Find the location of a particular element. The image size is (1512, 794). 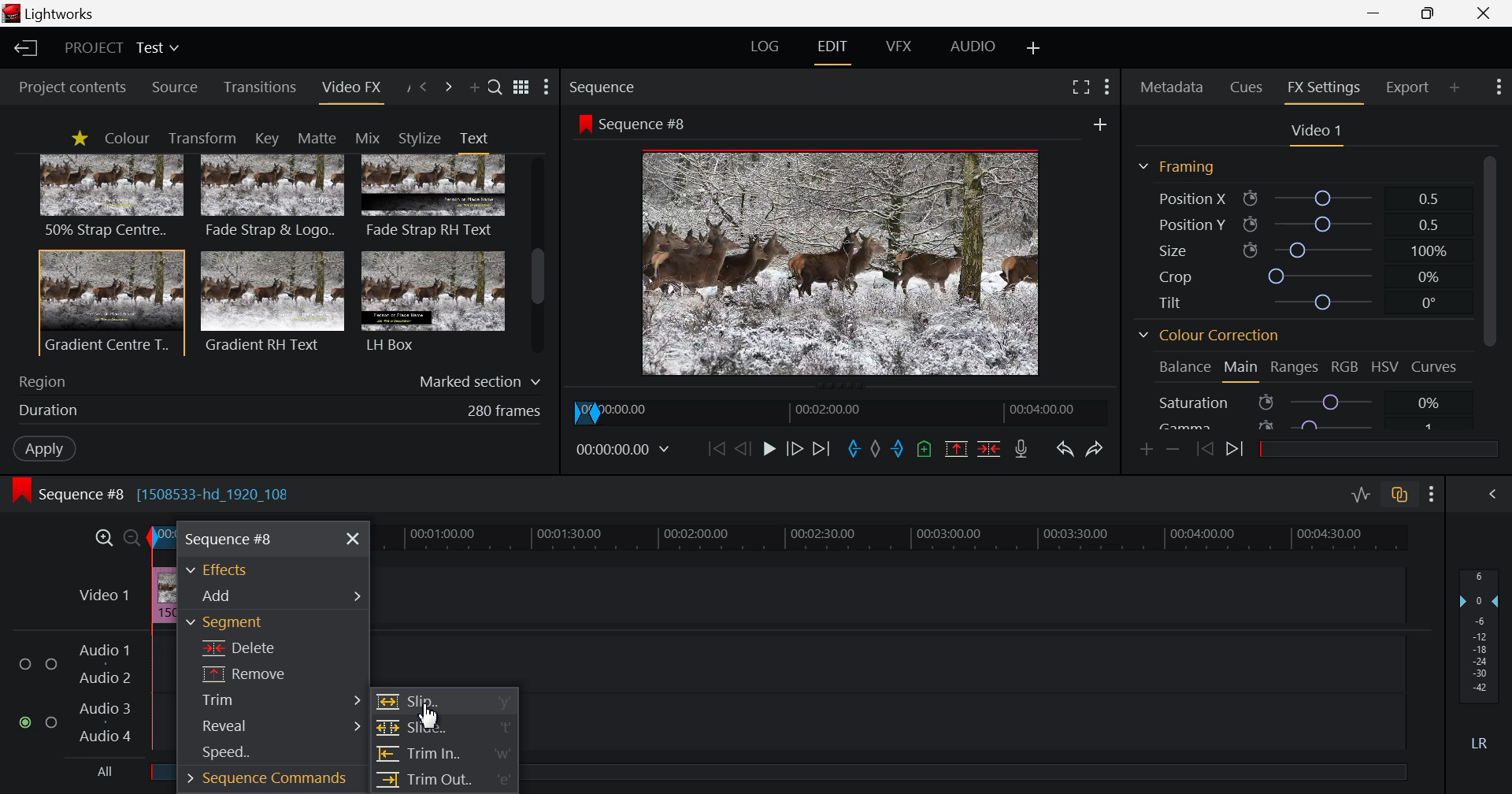

Search is located at coordinates (495, 89).